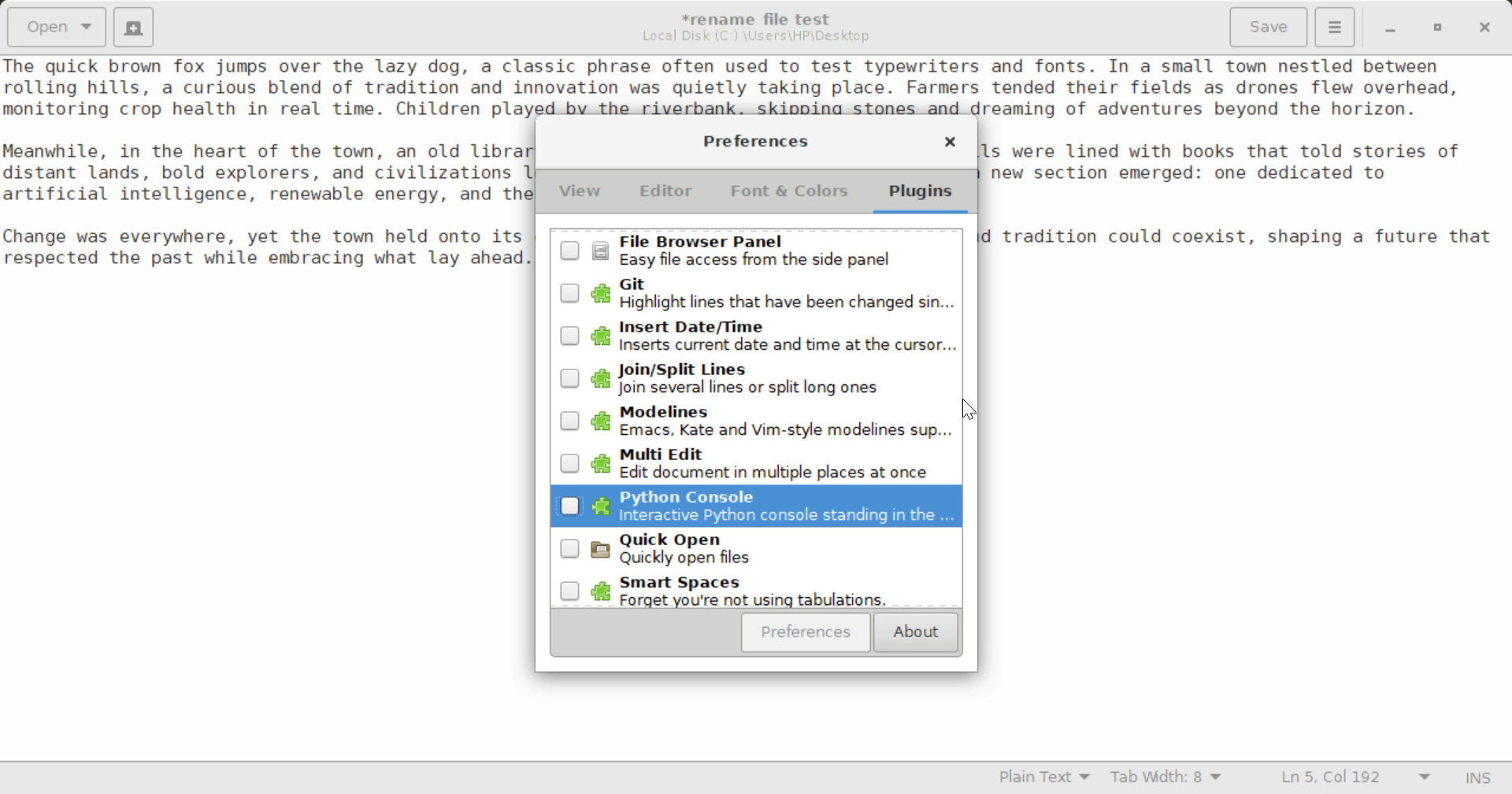  What do you see at coordinates (669, 195) in the screenshot?
I see `Editor Tab` at bounding box center [669, 195].